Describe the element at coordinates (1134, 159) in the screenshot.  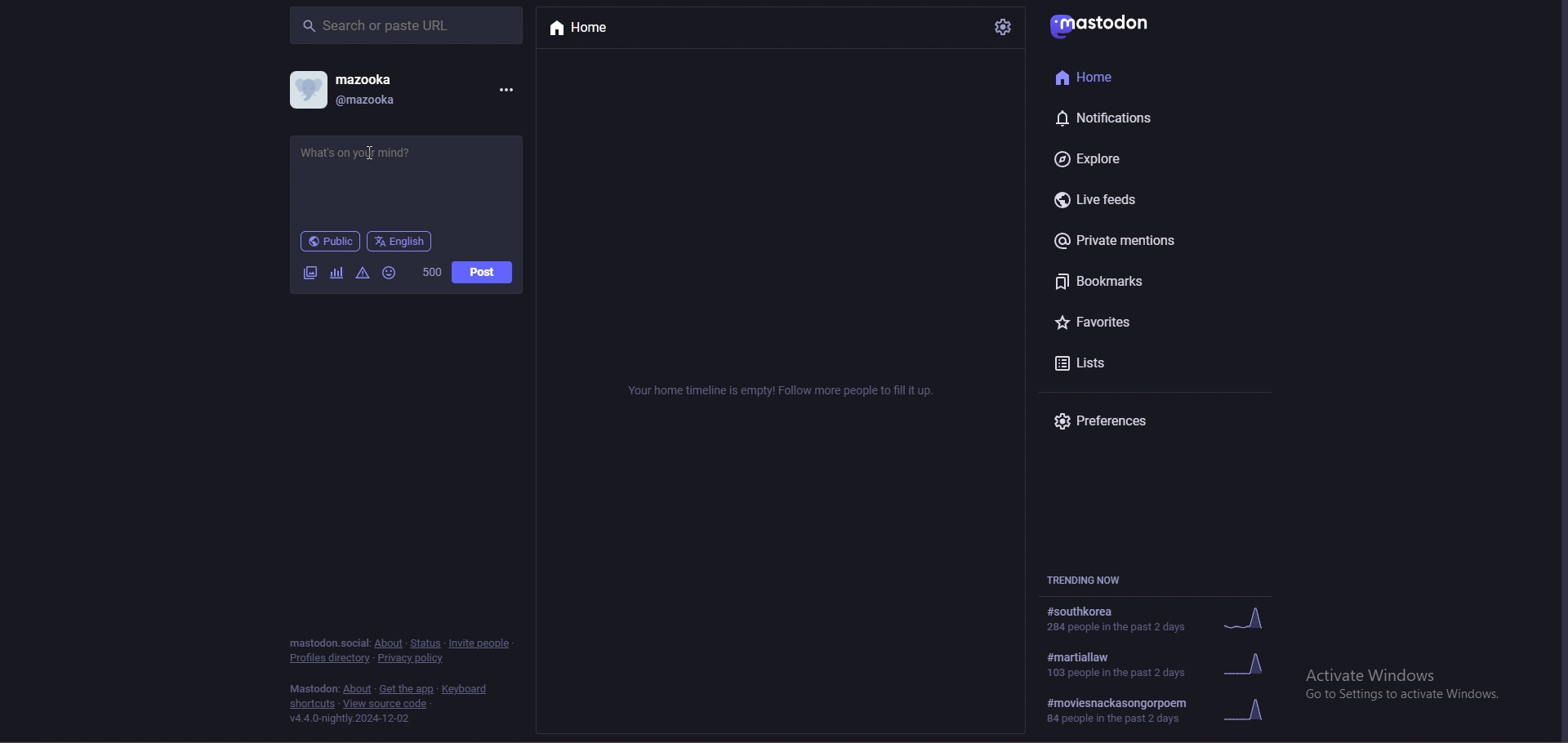
I see `explore` at that location.